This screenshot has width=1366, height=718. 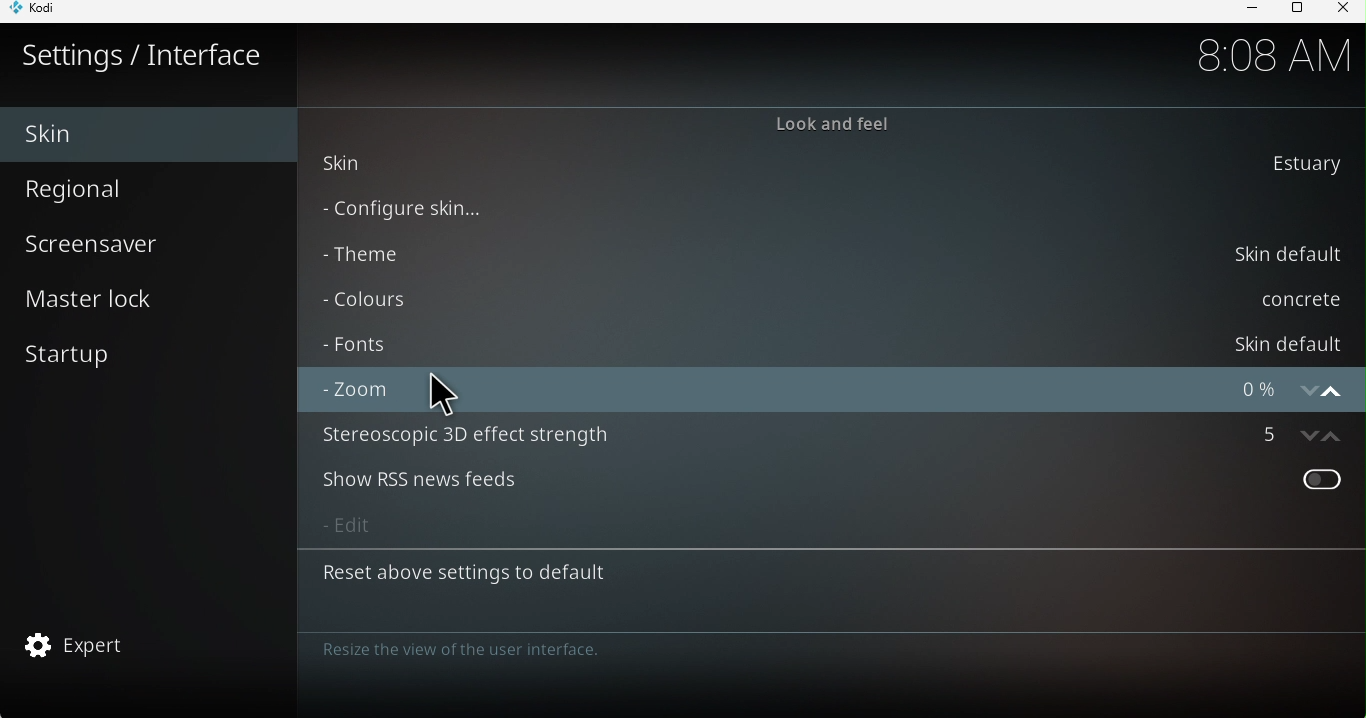 What do you see at coordinates (820, 389) in the screenshot?
I see `Zoom` at bounding box center [820, 389].